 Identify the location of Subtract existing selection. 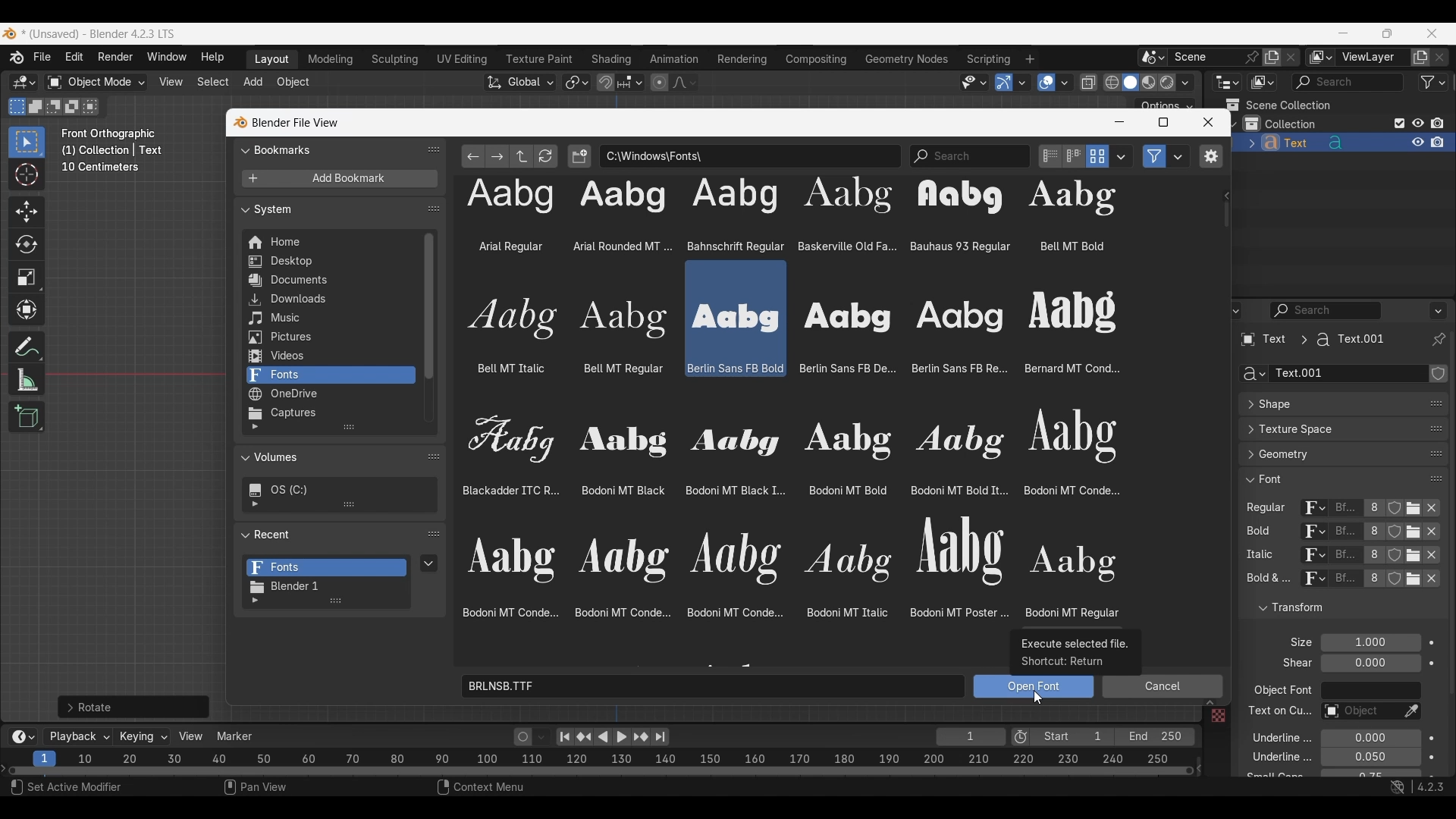
(54, 107).